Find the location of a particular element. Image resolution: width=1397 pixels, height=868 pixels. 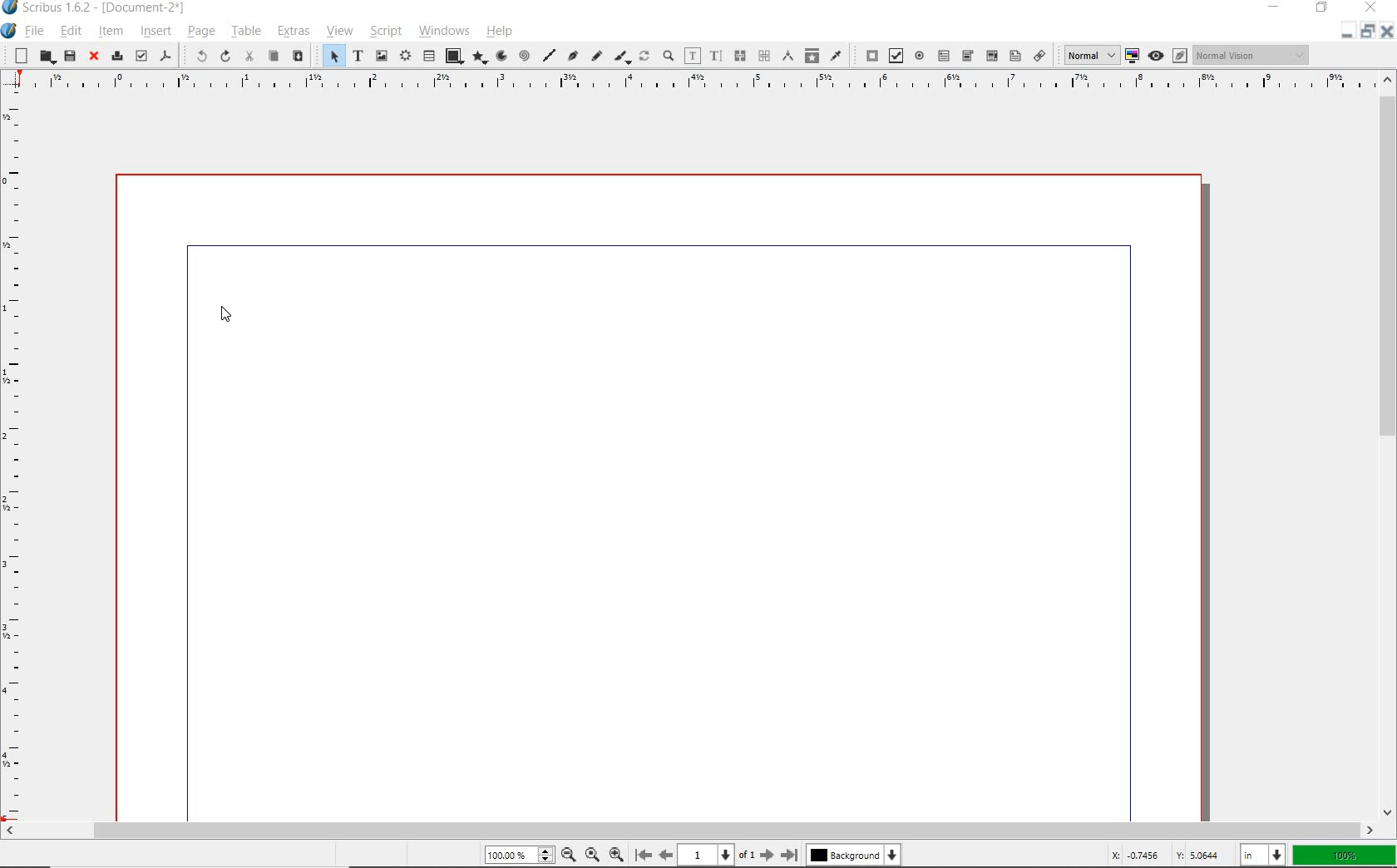

item is located at coordinates (111, 32).